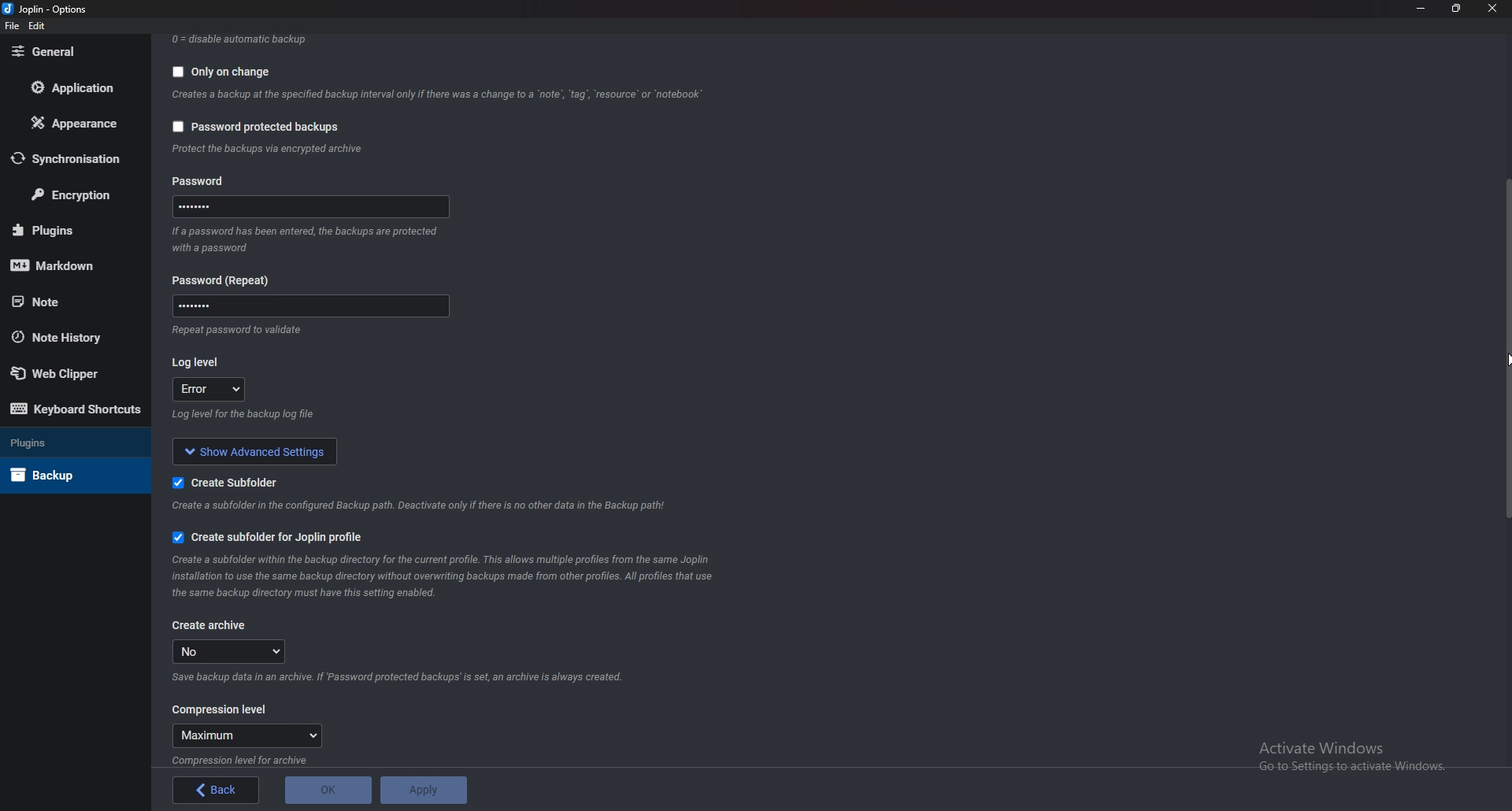  I want to click on Appearance, so click(79, 121).